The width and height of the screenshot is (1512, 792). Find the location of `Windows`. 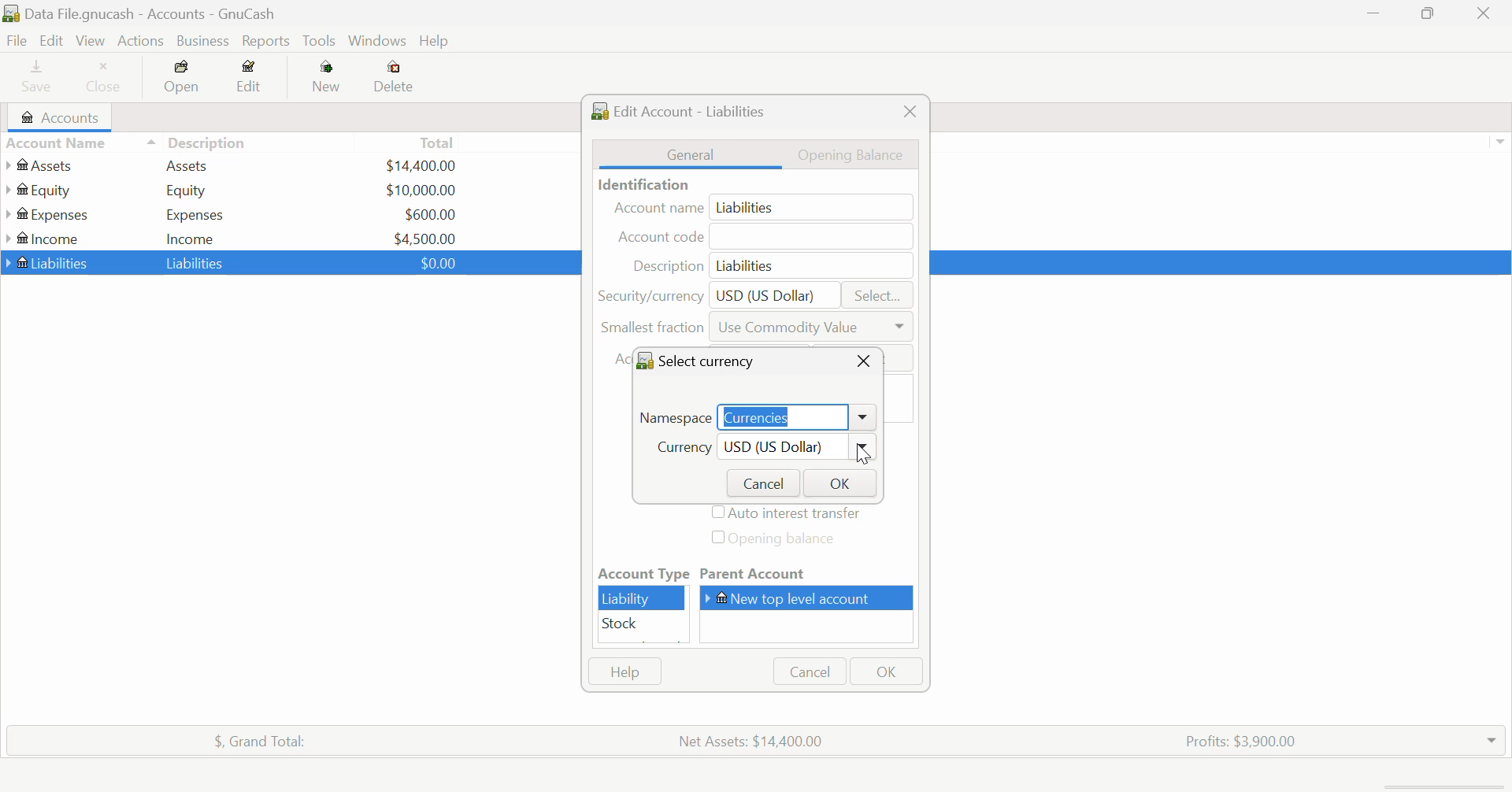

Windows is located at coordinates (378, 43).